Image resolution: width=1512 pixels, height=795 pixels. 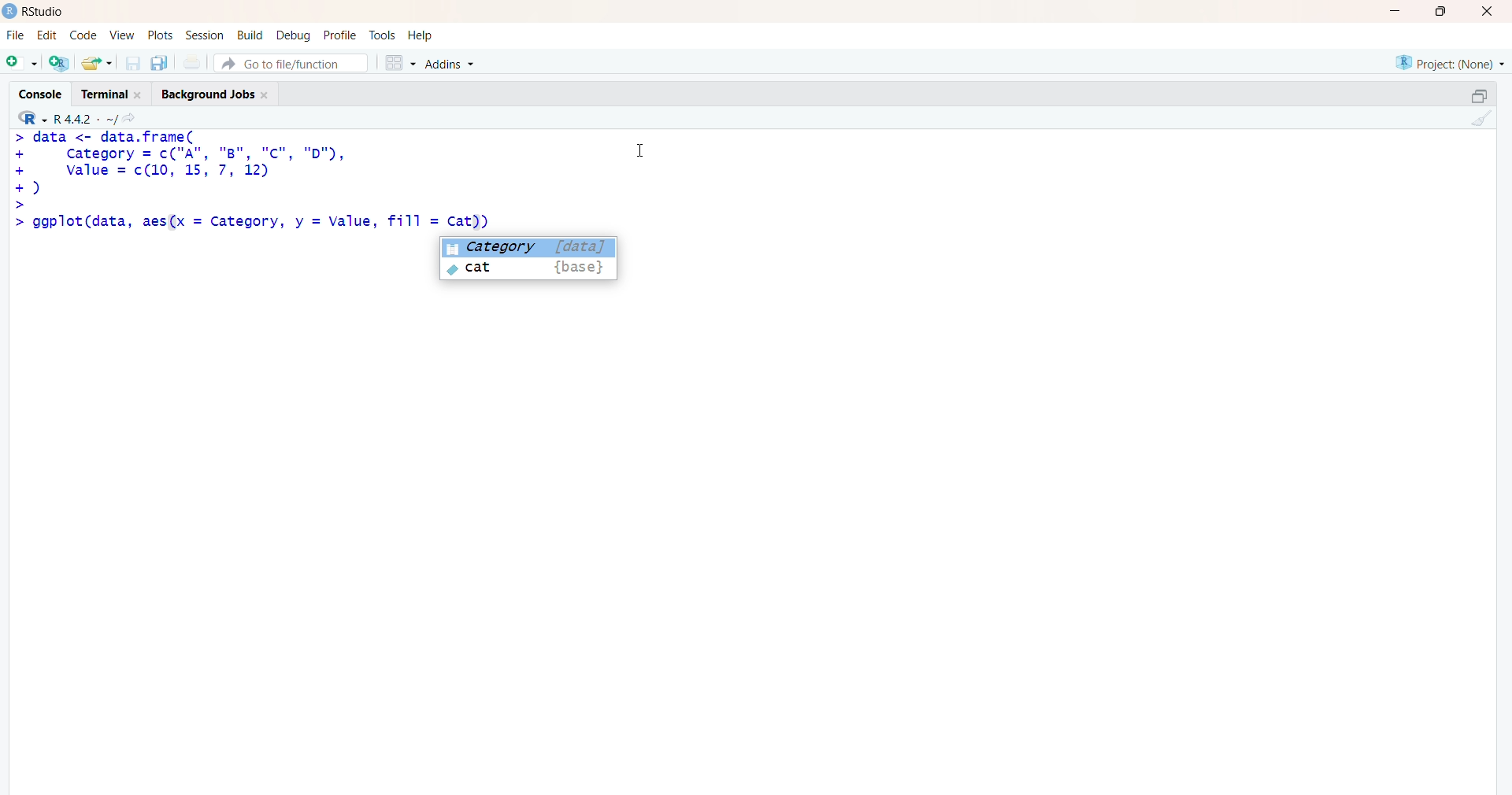 What do you see at coordinates (34, 118) in the screenshot?
I see `R language` at bounding box center [34, 118].